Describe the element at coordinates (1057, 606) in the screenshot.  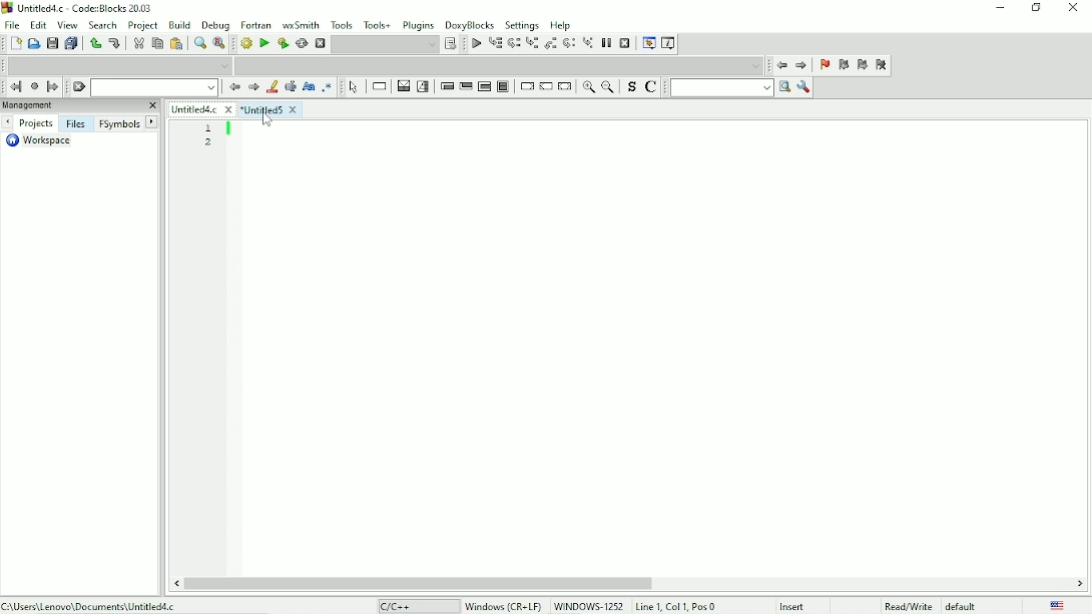
I see `Language` at that location.